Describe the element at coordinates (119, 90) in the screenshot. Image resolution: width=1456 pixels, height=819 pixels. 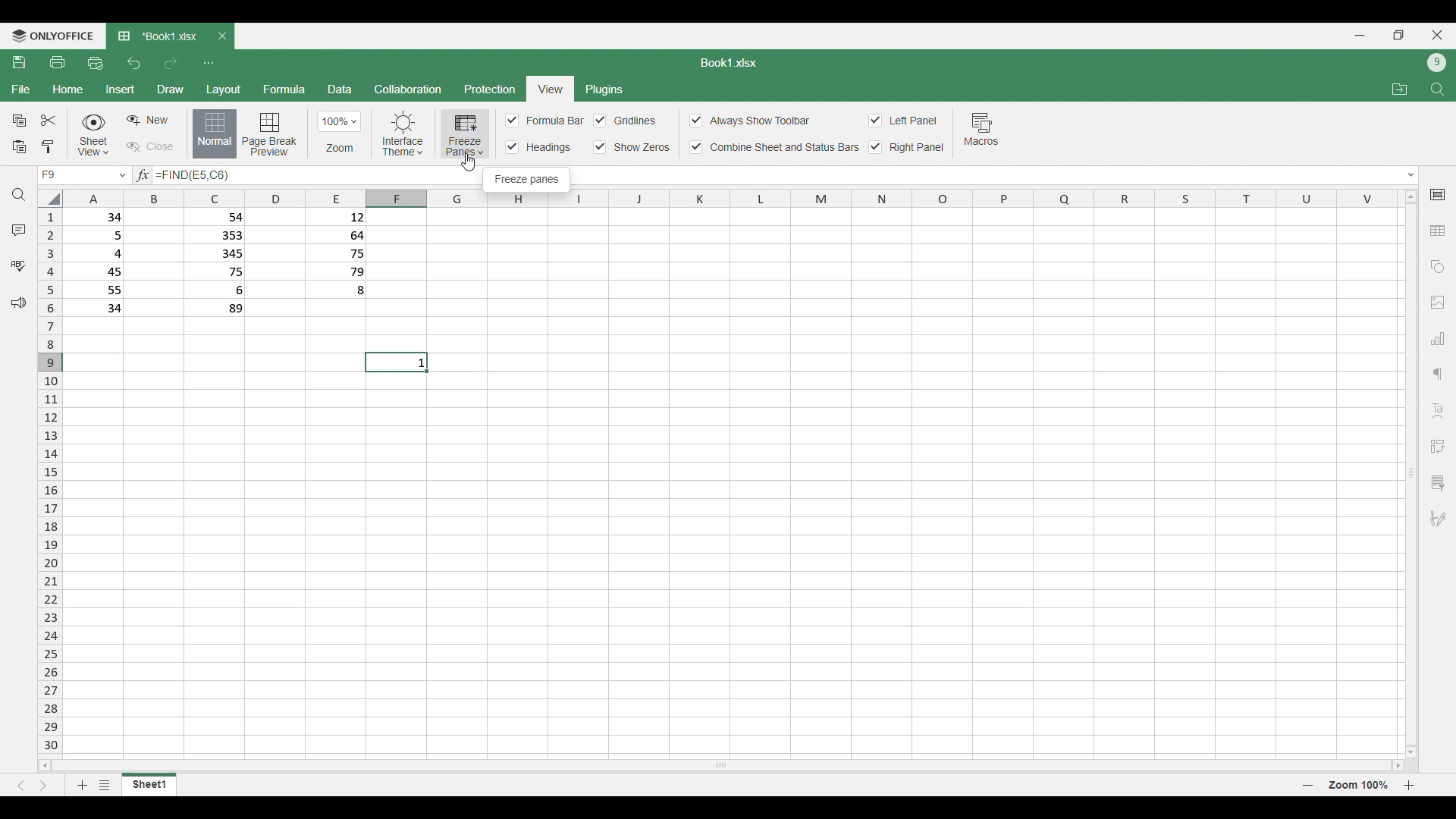
I see `Insert menu` at that location.